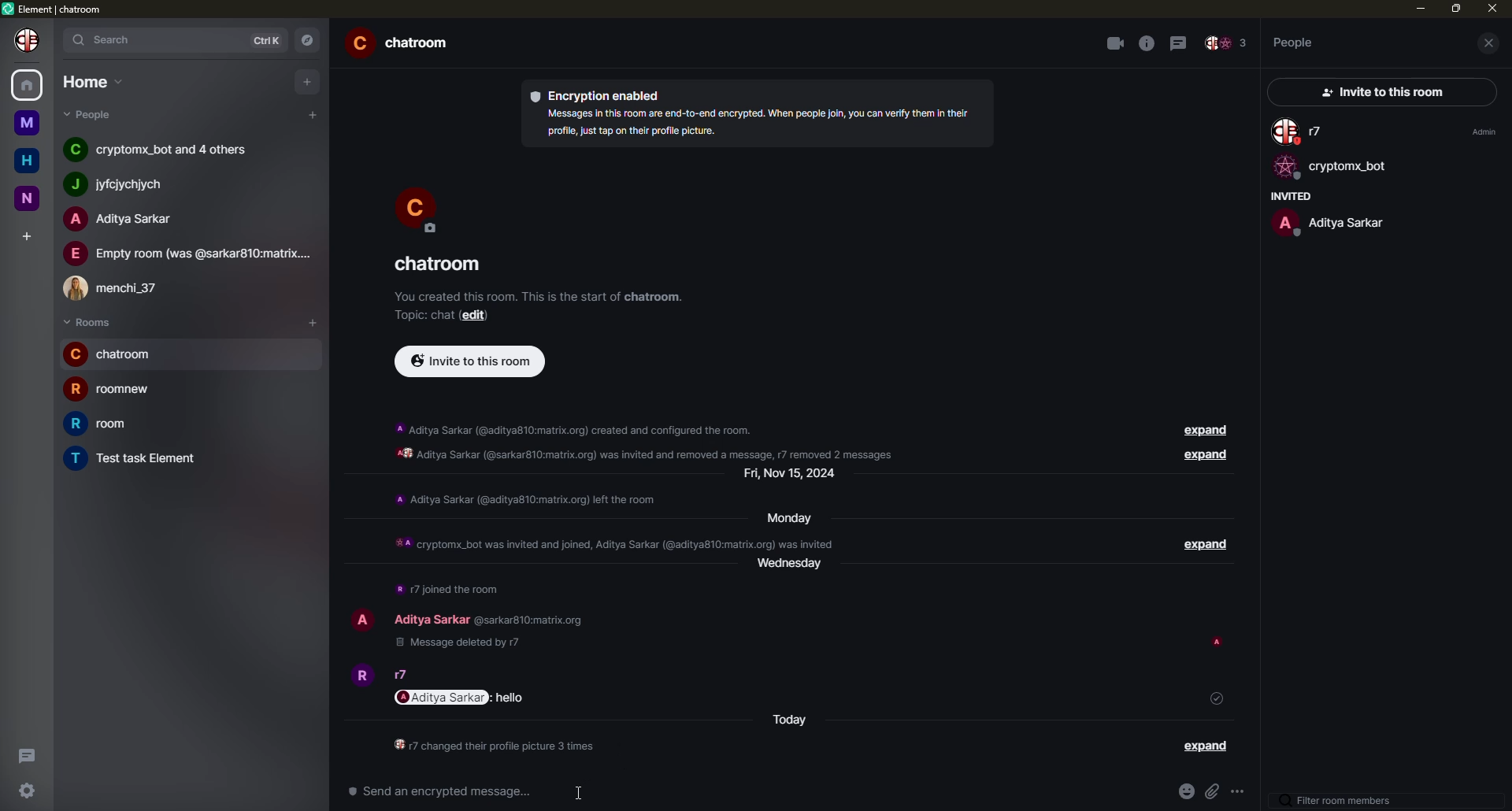 Image resolution: width=1512 pixels, height=811 pixels. What do you see at coordinates (309, 80) in the screenshot?
I see `add` at bounding box center [309, 80].